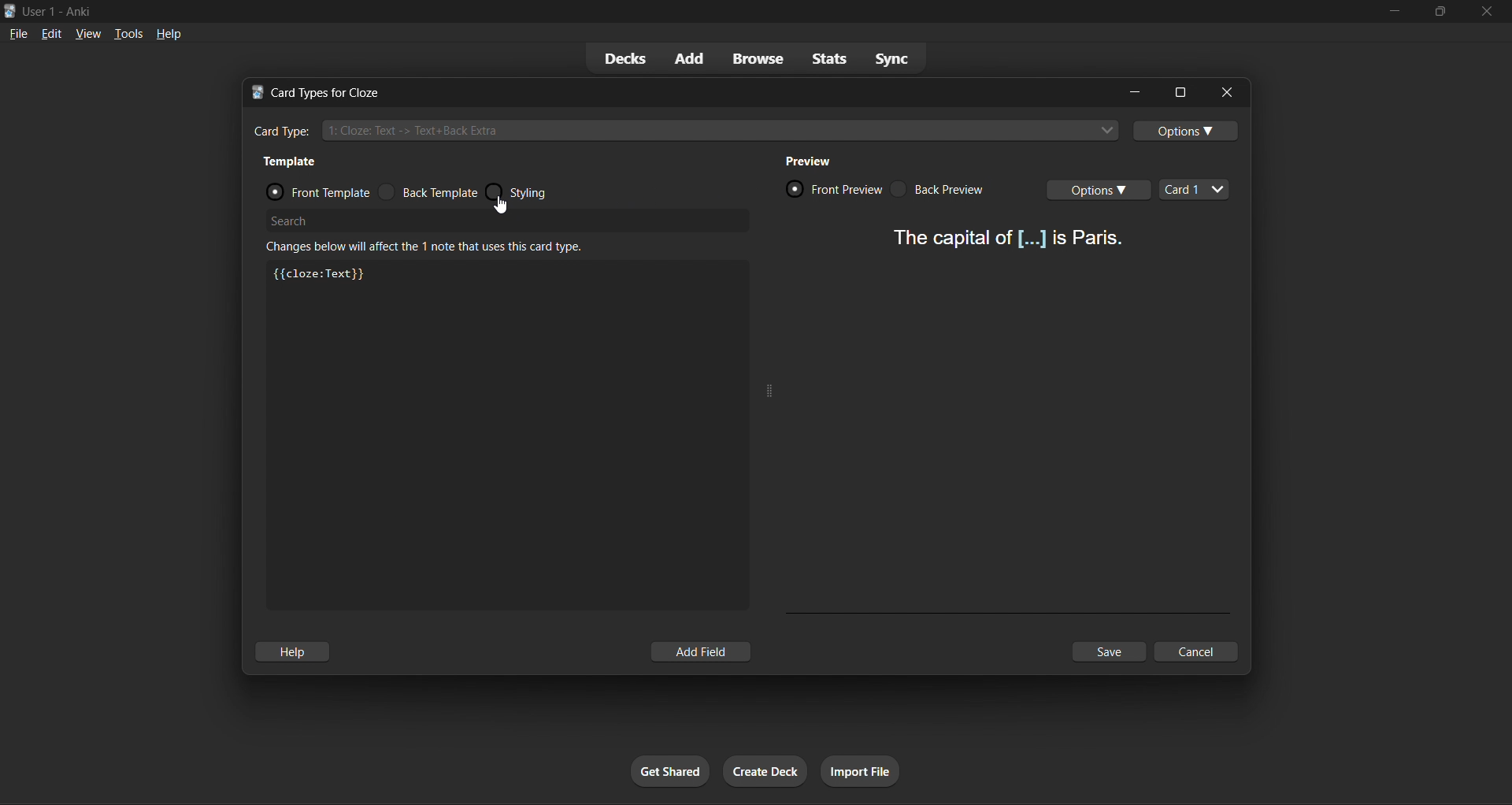 This screenshot has height=805, width=1512. I want to click on title bar, so click(689, 10).